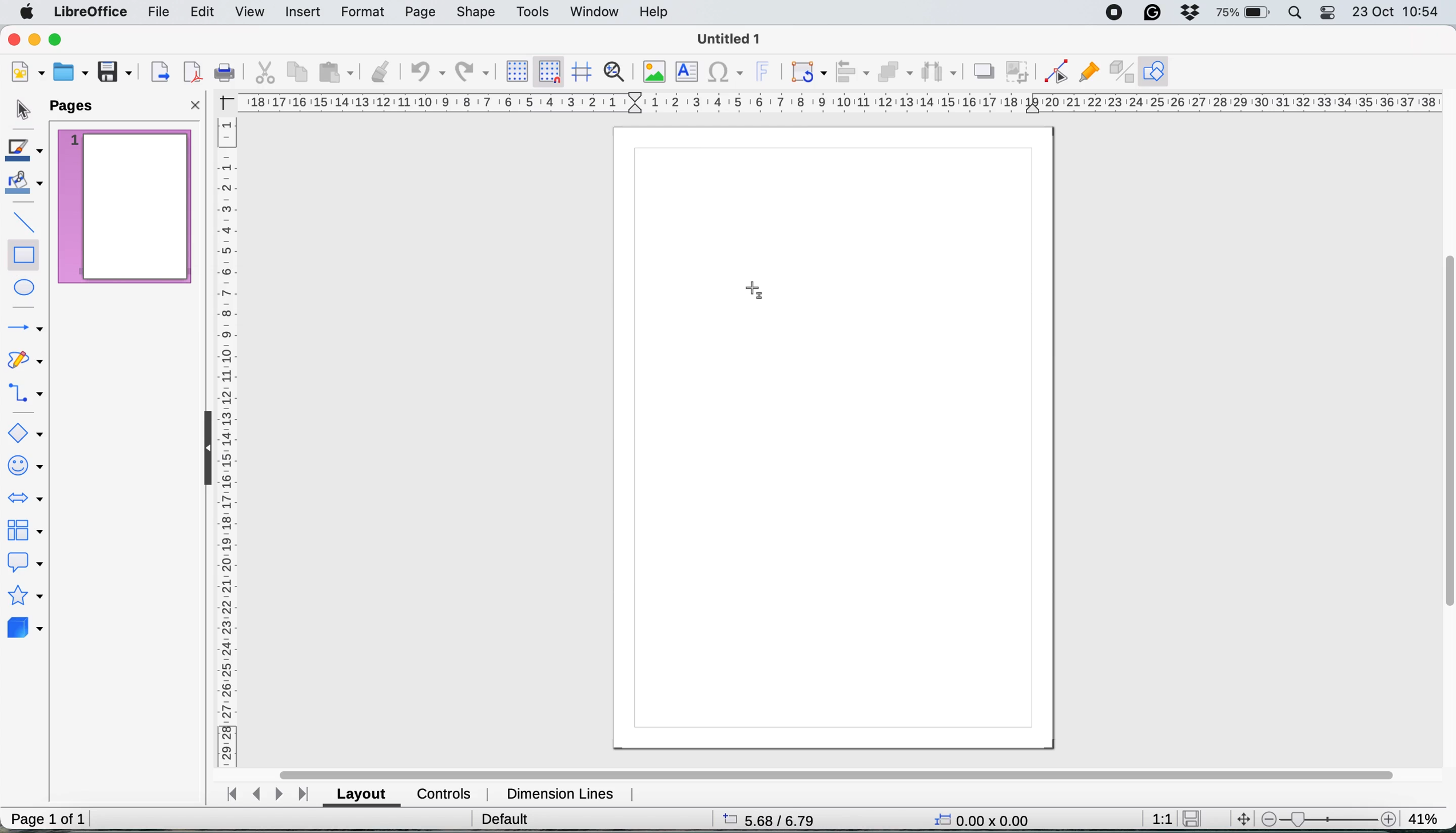 The height and width of the screenshot is (833, 1456). I want to click on file, so click(156, 13).